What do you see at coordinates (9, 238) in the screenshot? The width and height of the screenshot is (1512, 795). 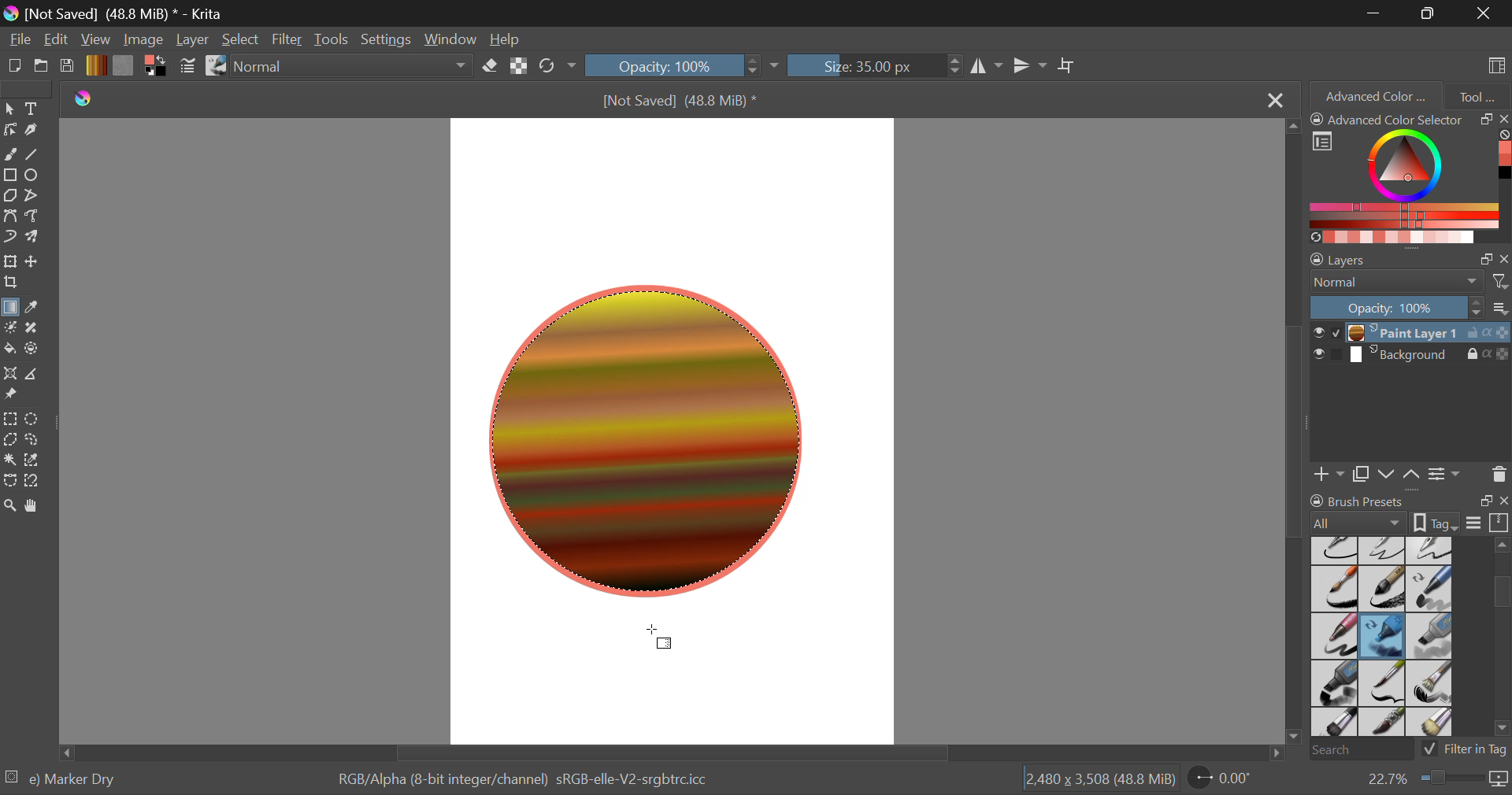 I see `Dynamic Brush Tool` at bounding box center [9, 238].